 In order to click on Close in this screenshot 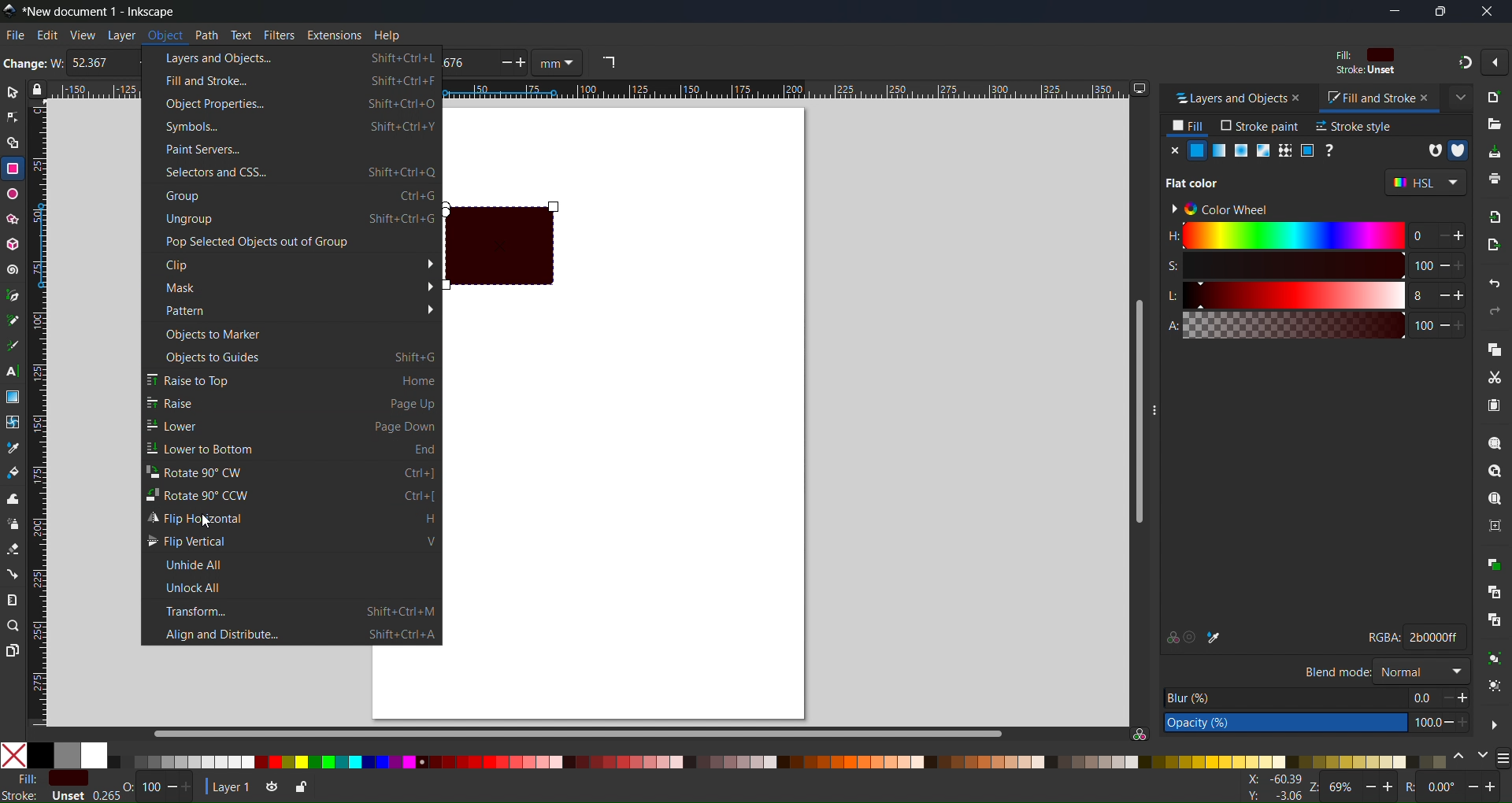, I will do `click(1173, 150)`.